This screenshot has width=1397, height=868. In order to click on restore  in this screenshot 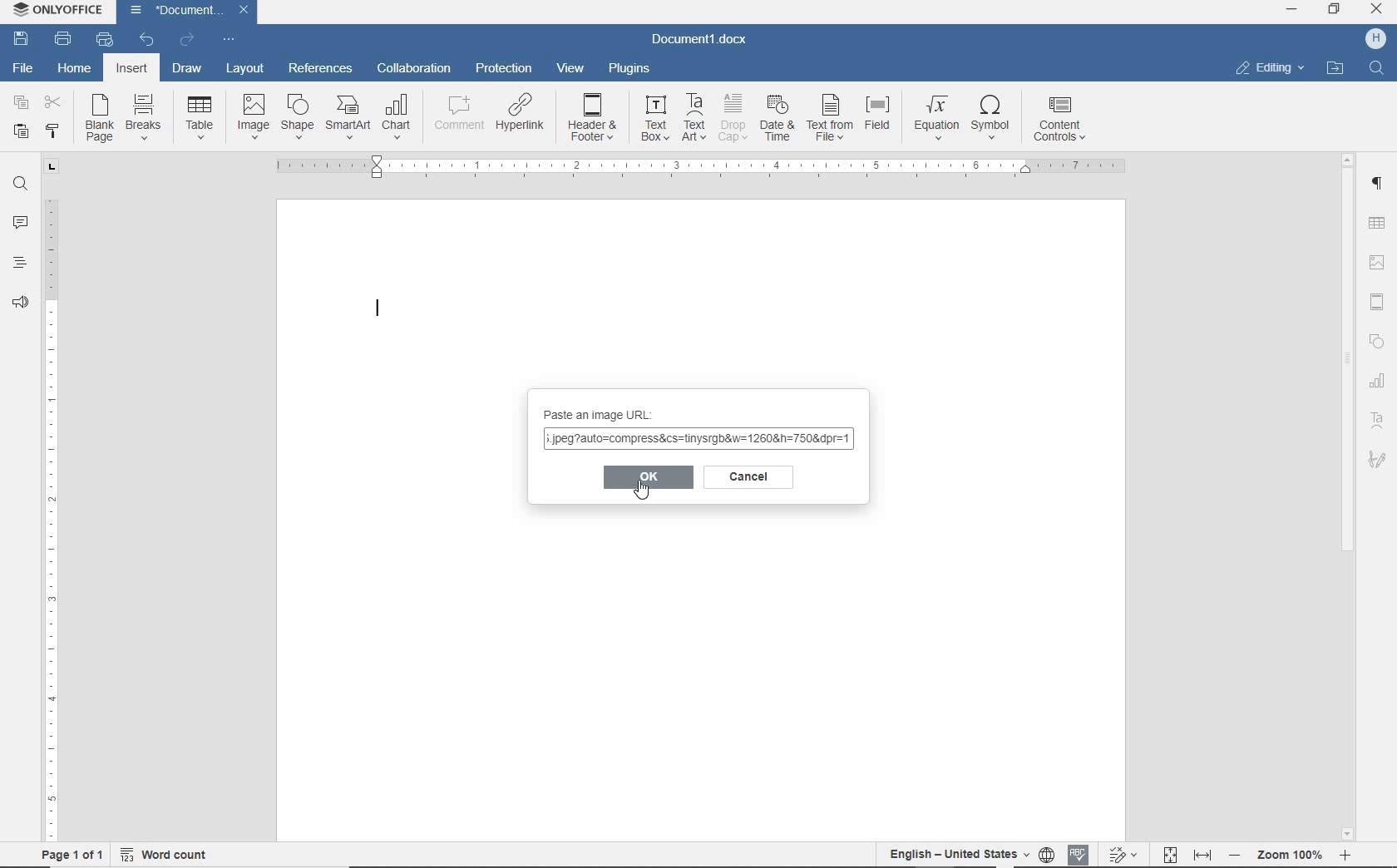, I will do `click(1334, 9)`.